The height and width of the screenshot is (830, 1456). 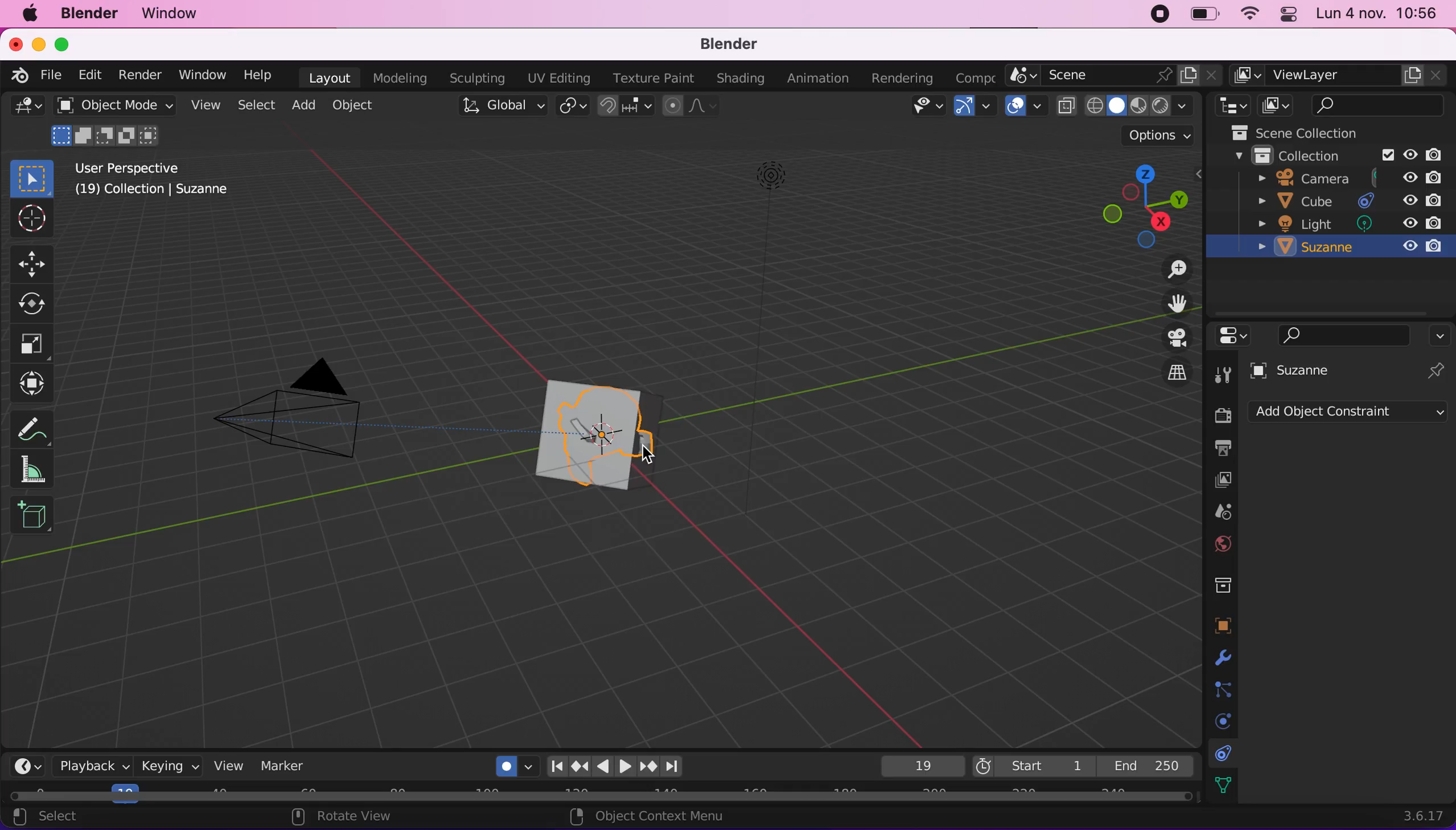 I want to click on scene, so click(x=1098, y=76).